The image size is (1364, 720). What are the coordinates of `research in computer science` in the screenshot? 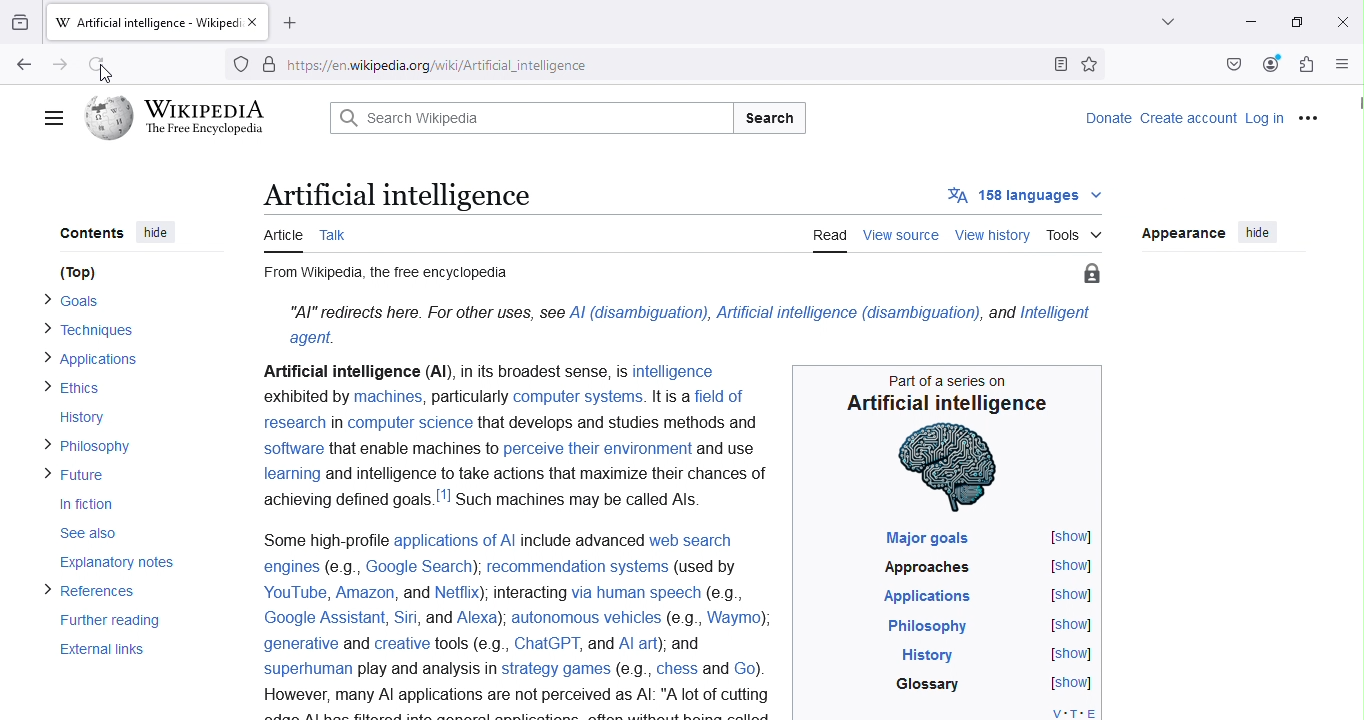 It's located at (366, 423).